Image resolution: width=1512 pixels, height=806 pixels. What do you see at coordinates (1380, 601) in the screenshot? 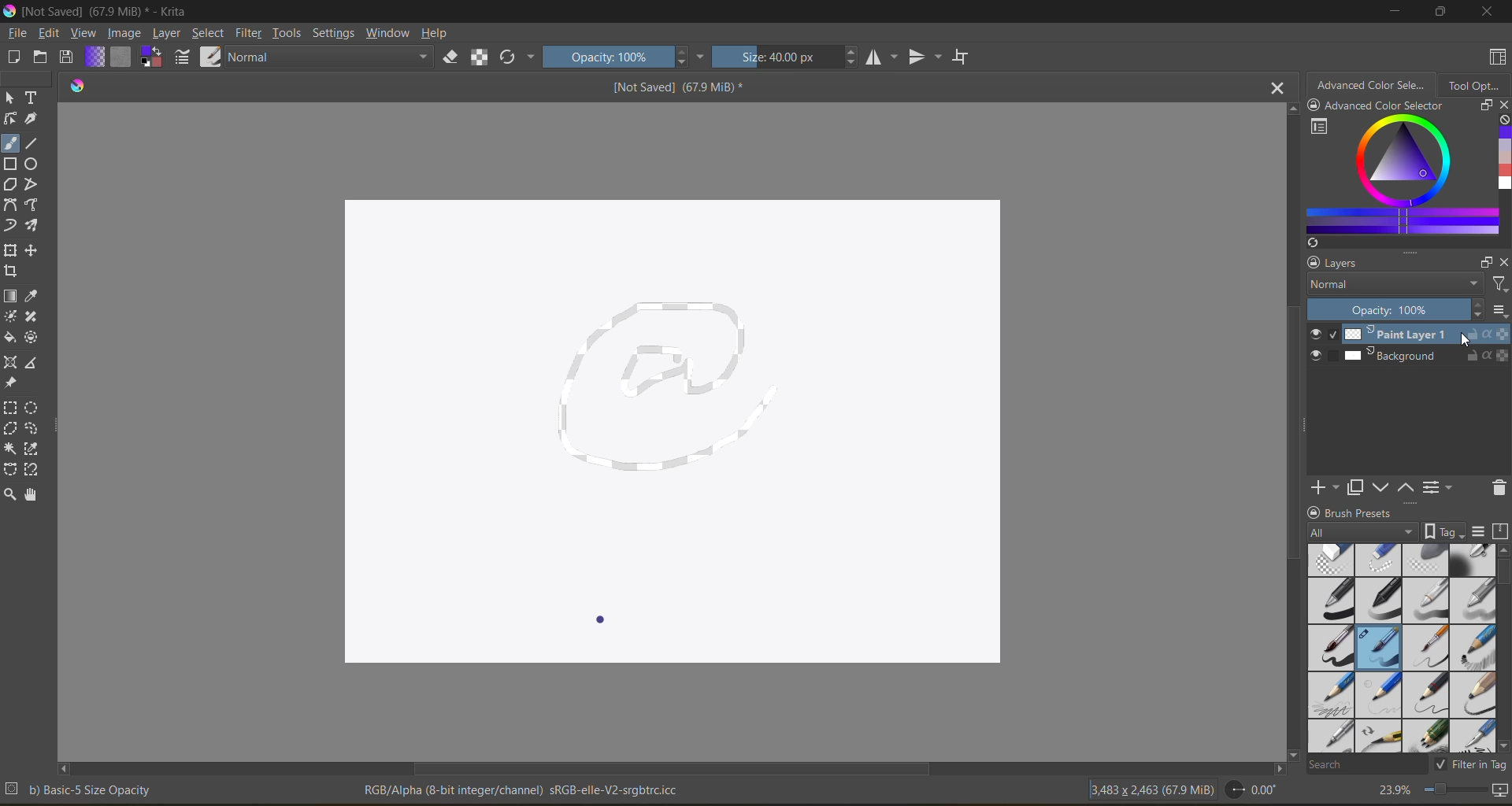
I see `black pen` at bounding box center [1380, 601].